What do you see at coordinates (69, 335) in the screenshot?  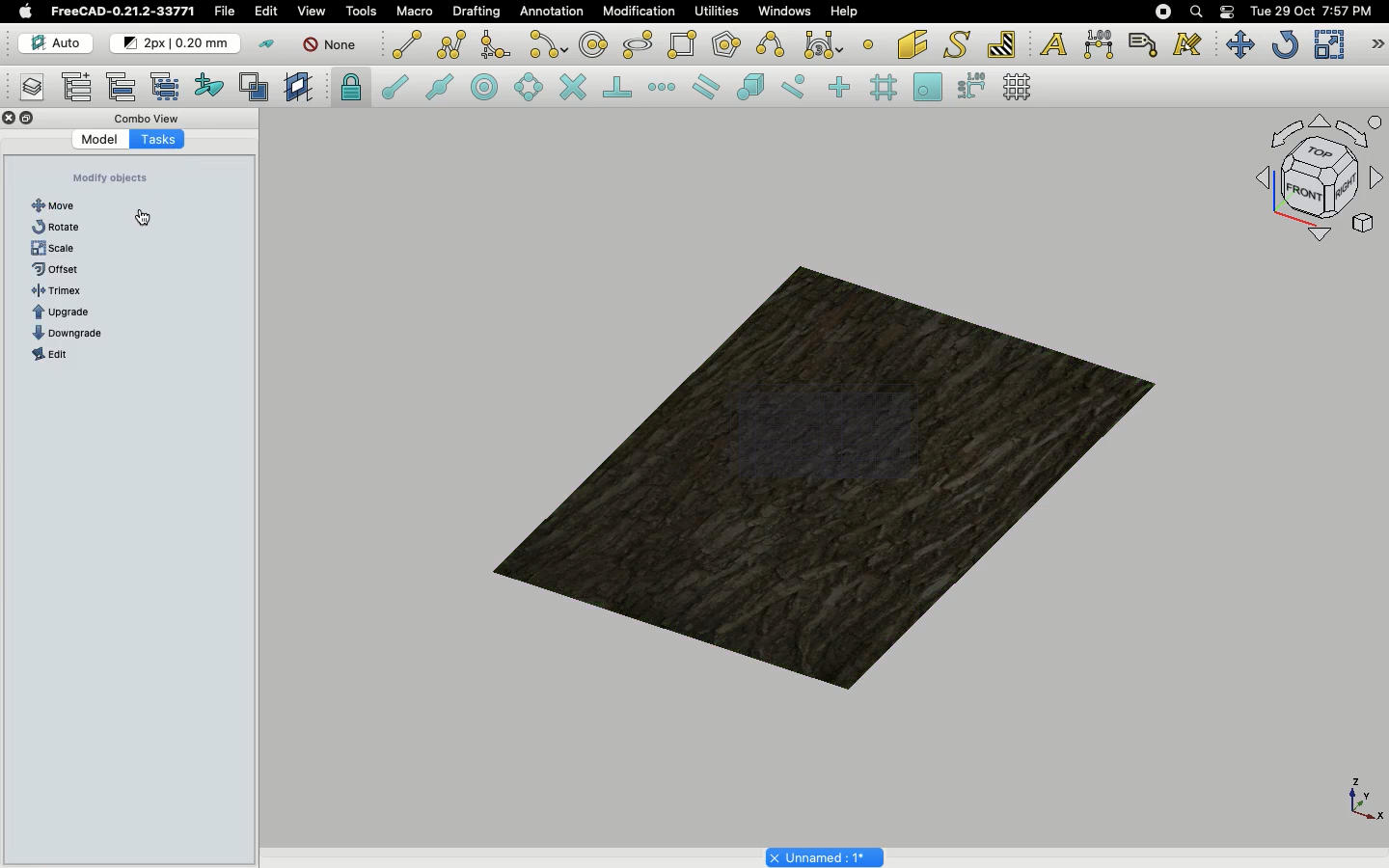 I see `Downgrade` at bounding box center [69, 335].